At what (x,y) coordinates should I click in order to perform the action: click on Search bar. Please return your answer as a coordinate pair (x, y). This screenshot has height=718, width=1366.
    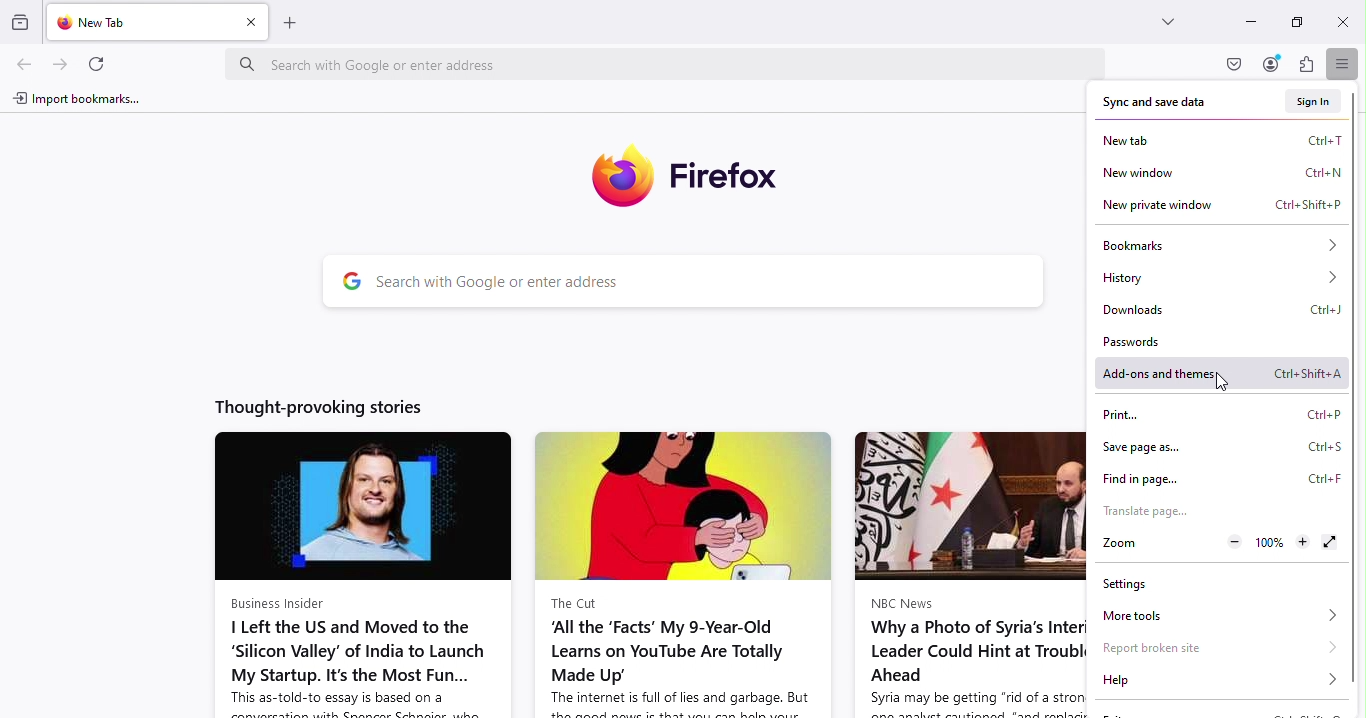
    Looking at the image, I should click on (711, 282).